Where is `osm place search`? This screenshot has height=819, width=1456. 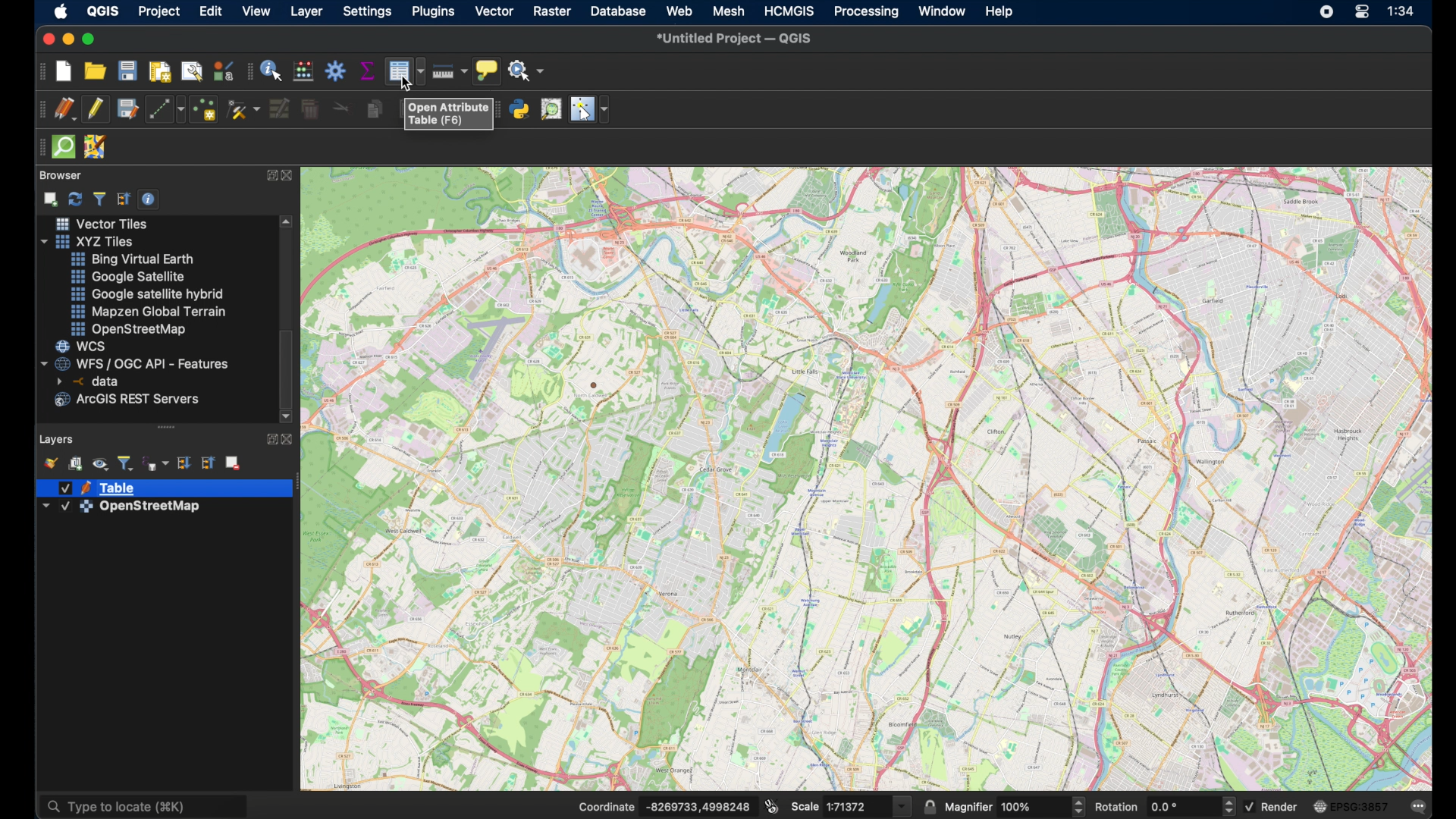
osm place search is located at coordinates (553, 111).